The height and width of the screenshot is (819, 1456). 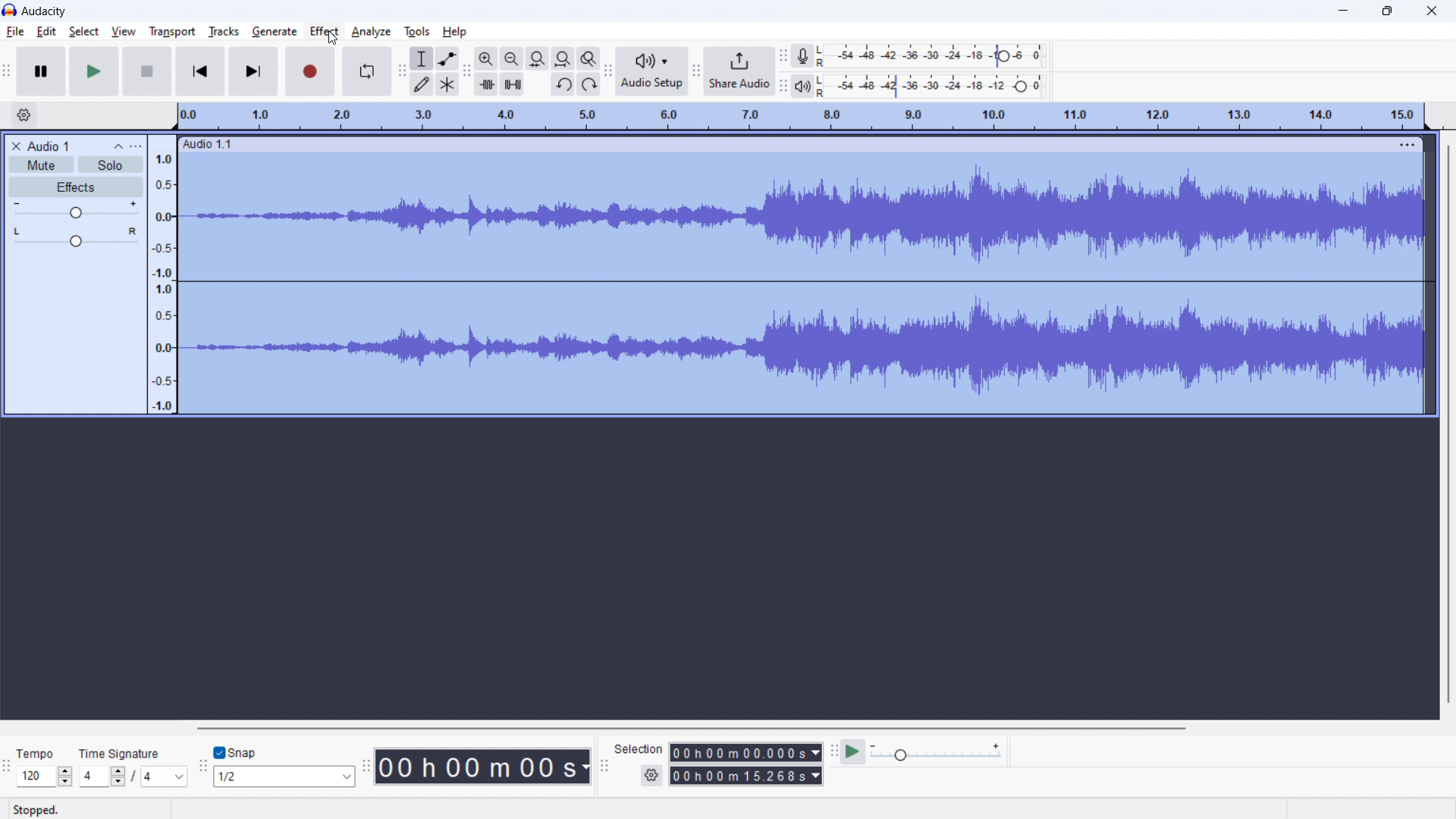 I want to click on playback level, so click(x=940, y=87).